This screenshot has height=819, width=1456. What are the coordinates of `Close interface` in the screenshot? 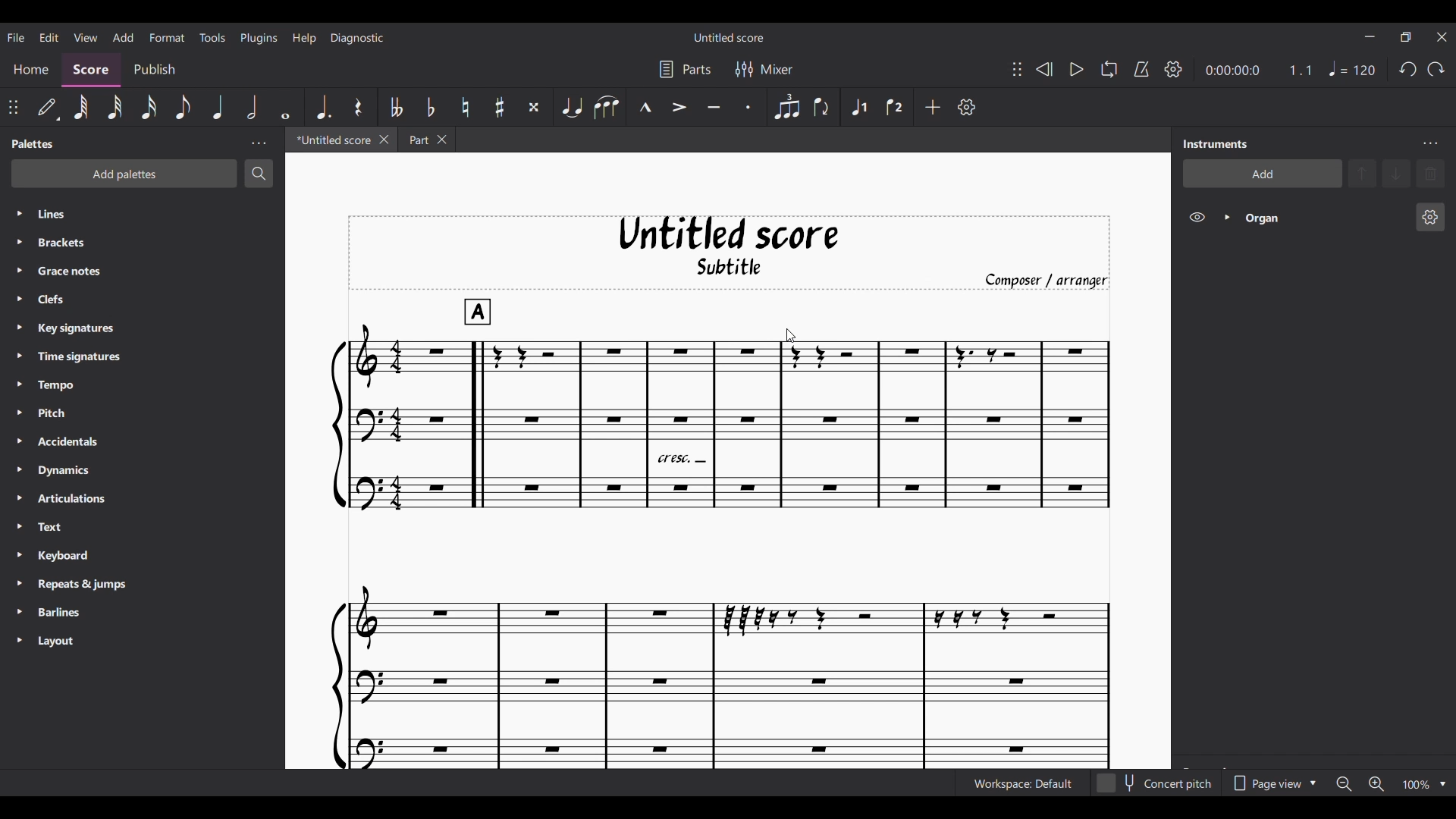 It's located at (1442, 36).